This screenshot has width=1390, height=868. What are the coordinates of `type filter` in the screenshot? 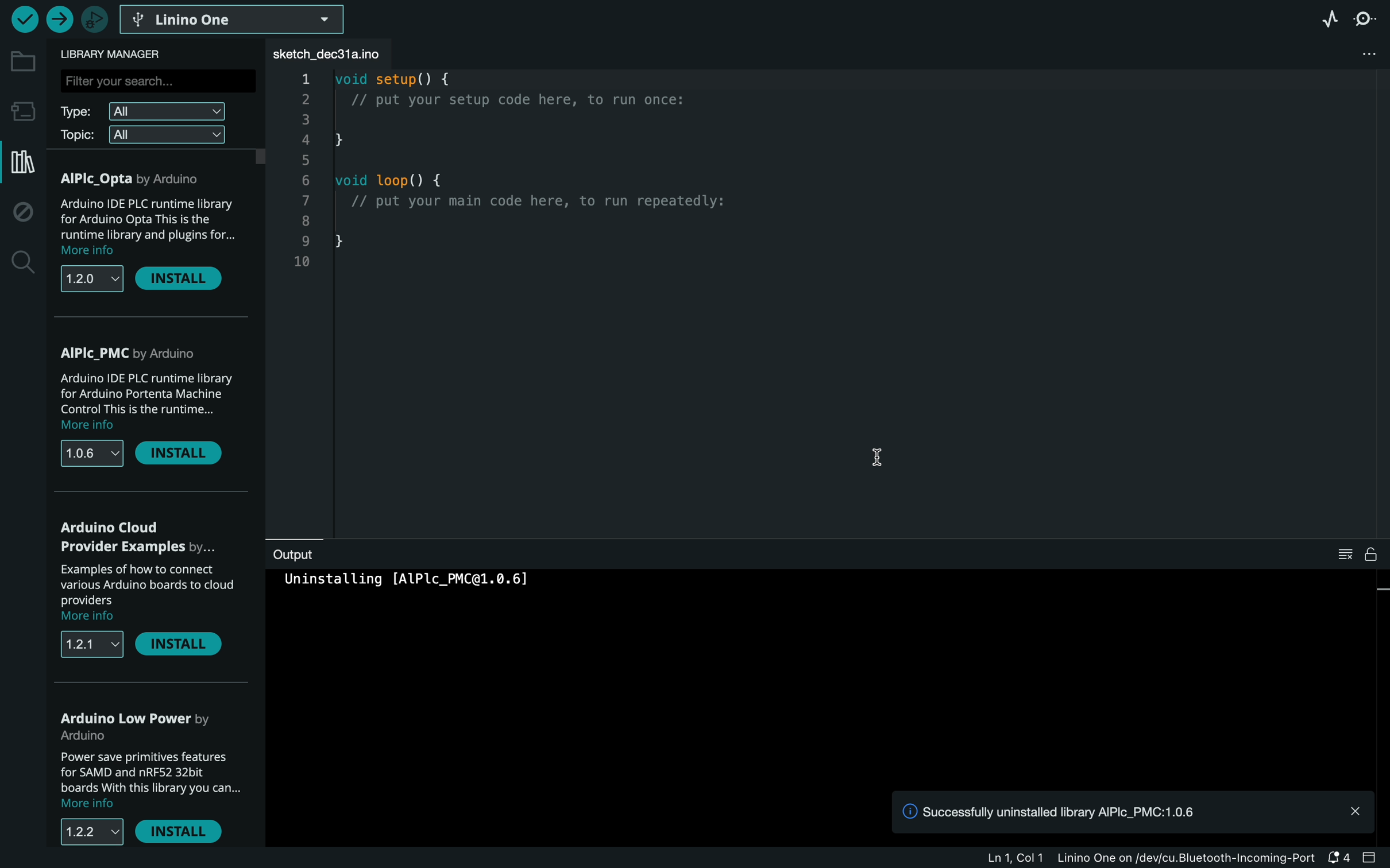 It's located at (144, 111).